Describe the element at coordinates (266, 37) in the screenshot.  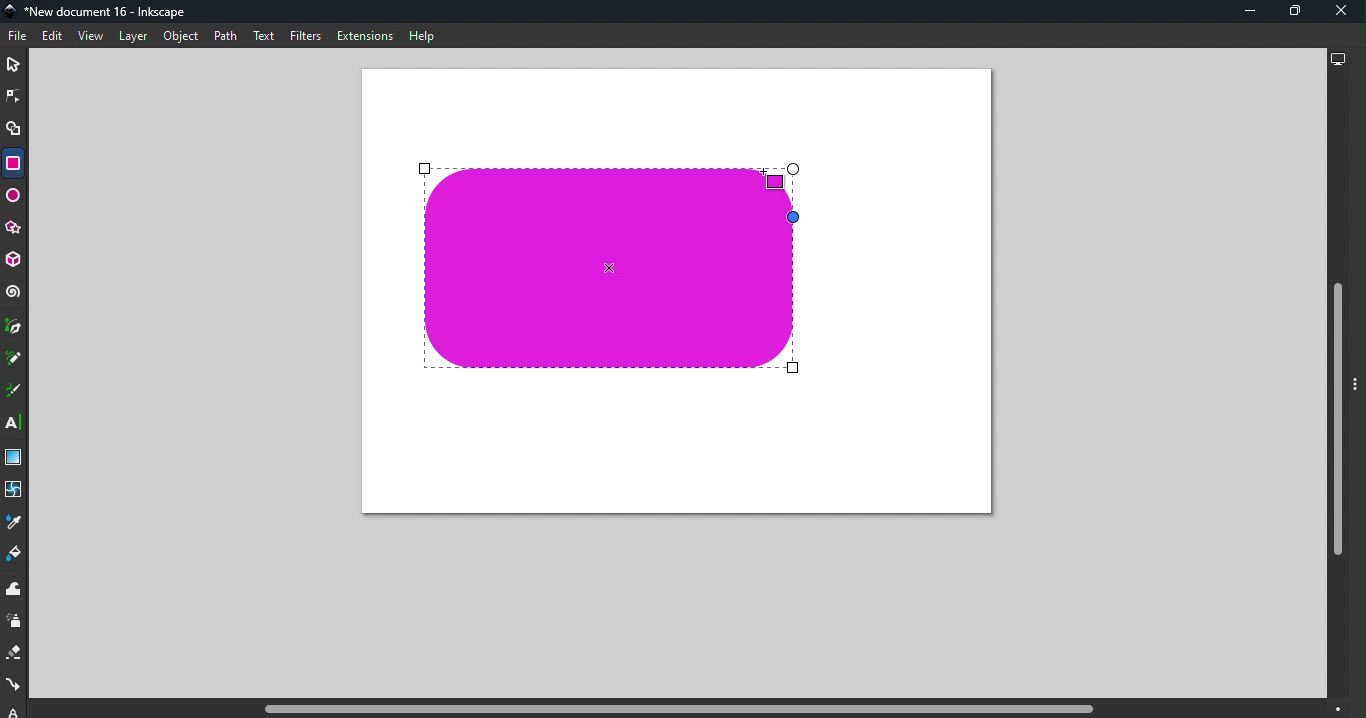
I see `Text` at that location.